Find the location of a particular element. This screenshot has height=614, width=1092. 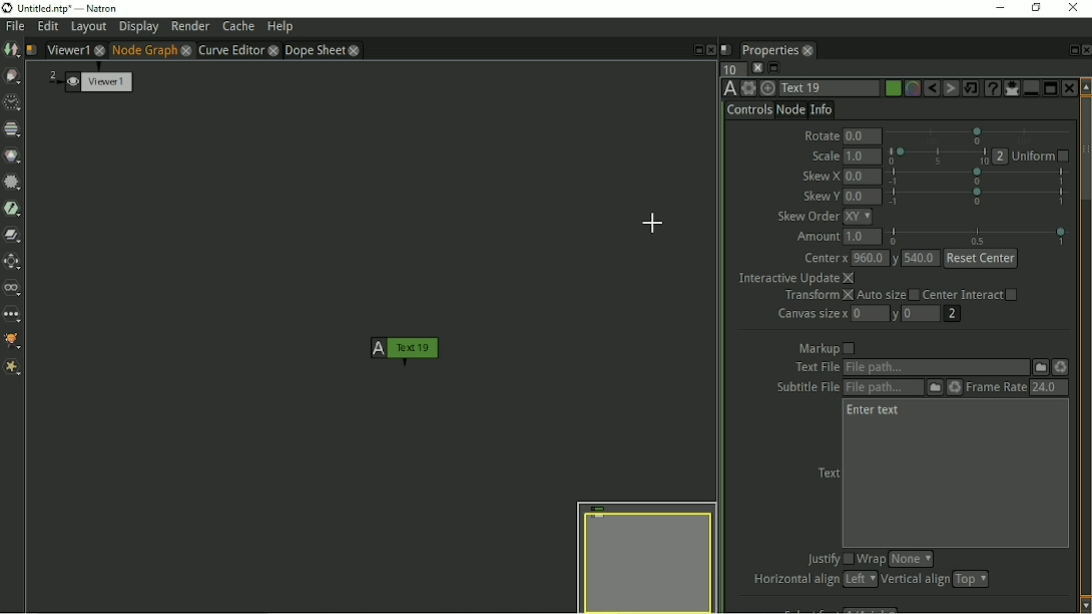

Curve Editor is located at coordinates (231, 50).